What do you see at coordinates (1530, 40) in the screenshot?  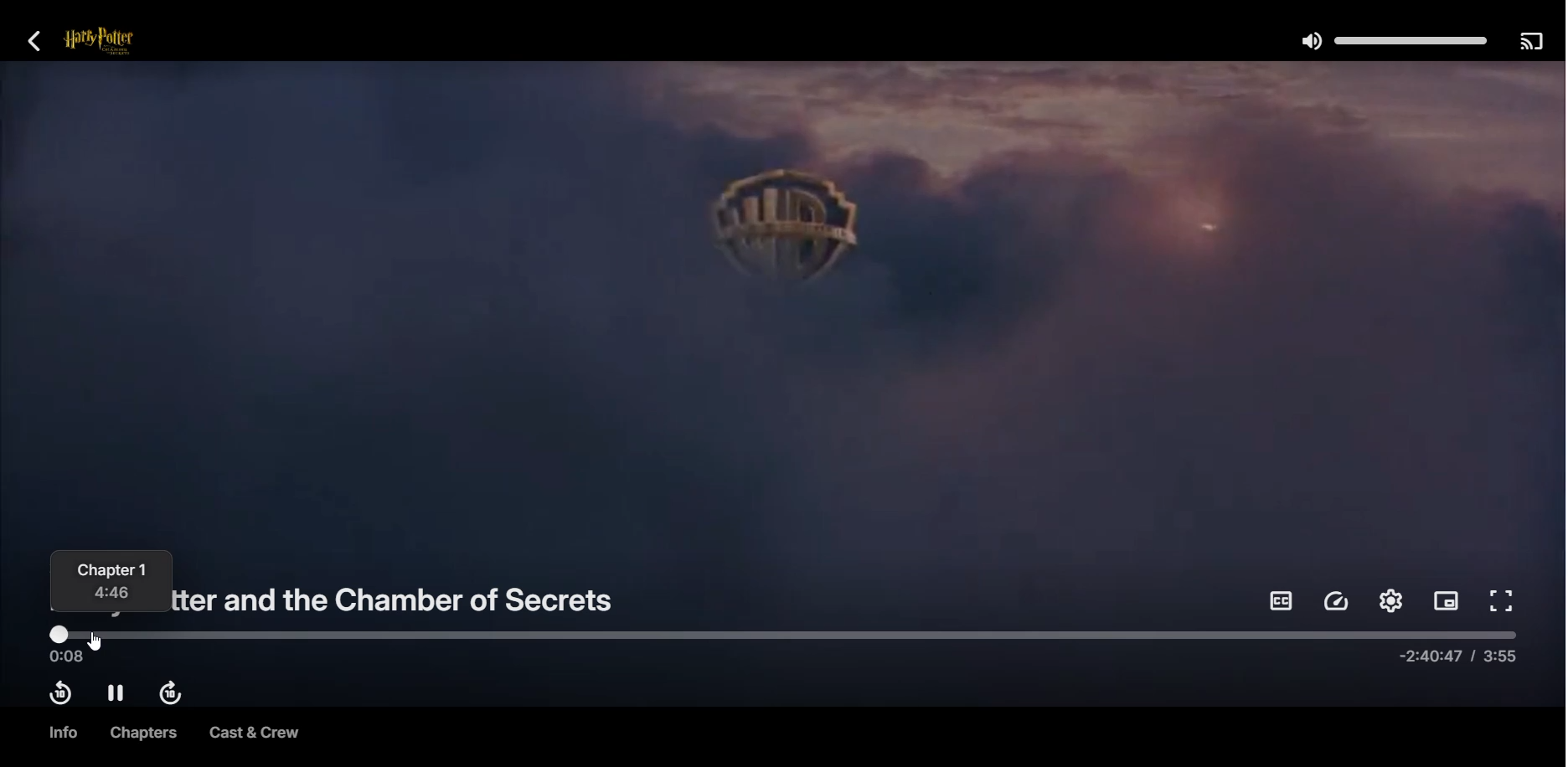 I see `Play on another device` at bounding box center [1530, 40].